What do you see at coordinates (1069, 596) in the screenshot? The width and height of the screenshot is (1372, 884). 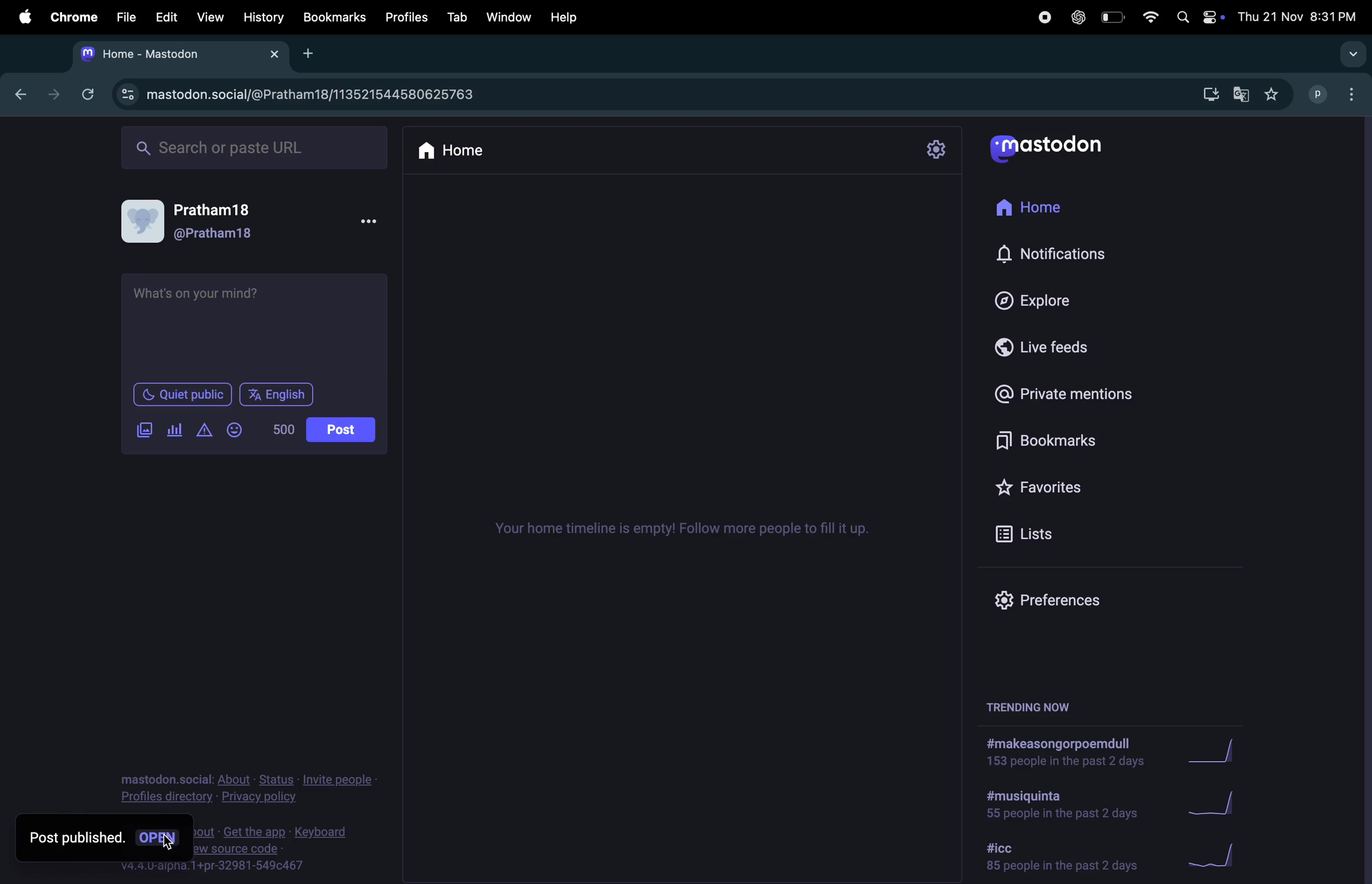 I see `prefrences` at bounding box center [1069, 596].